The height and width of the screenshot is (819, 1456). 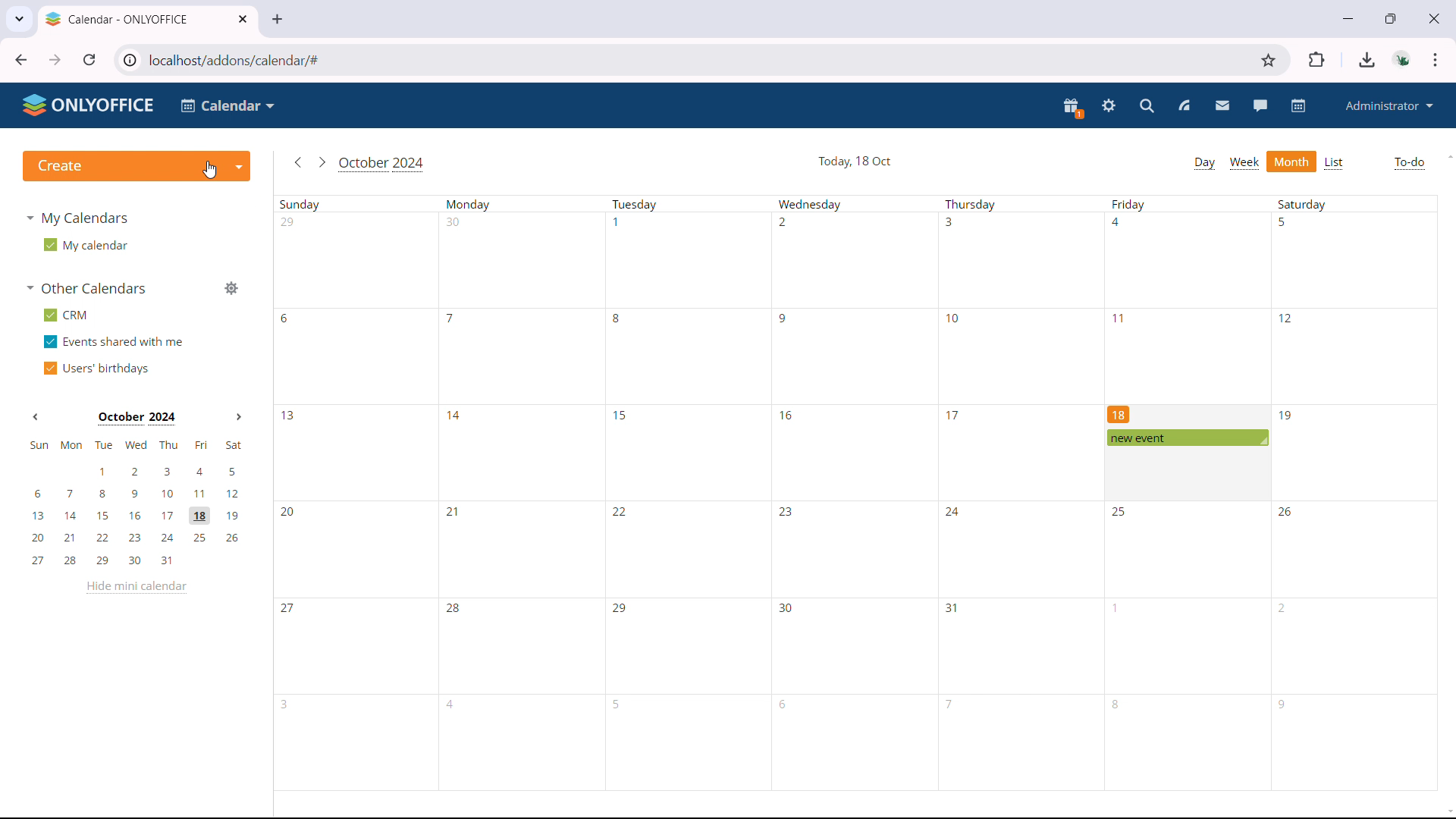 I want to click on 9, so click(x=785, y=319).